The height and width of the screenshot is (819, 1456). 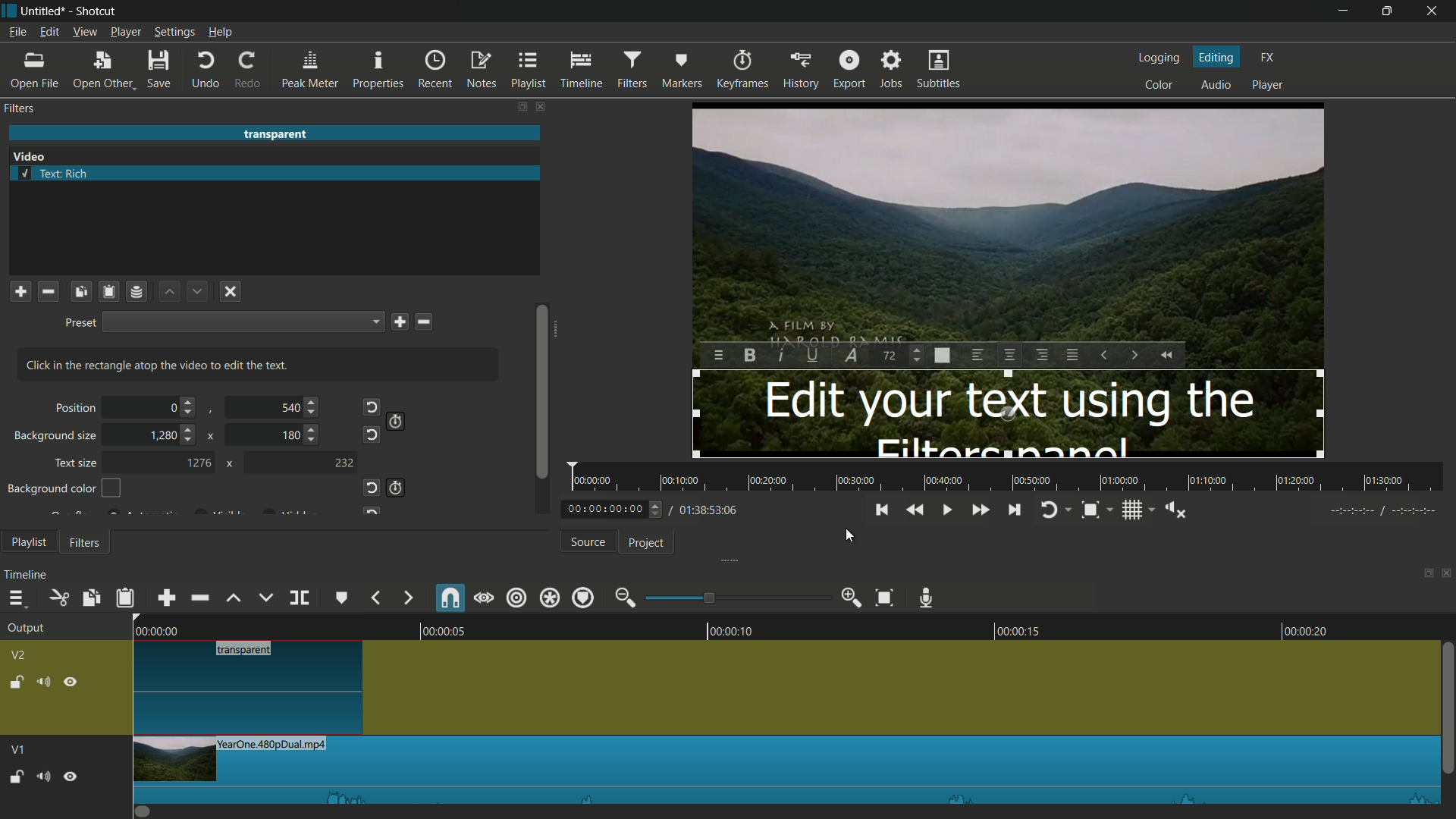 What do you see at coordinates (1090, 510) in the screenshot?
I see `toggle snap` at bounding box center [1090, 510].